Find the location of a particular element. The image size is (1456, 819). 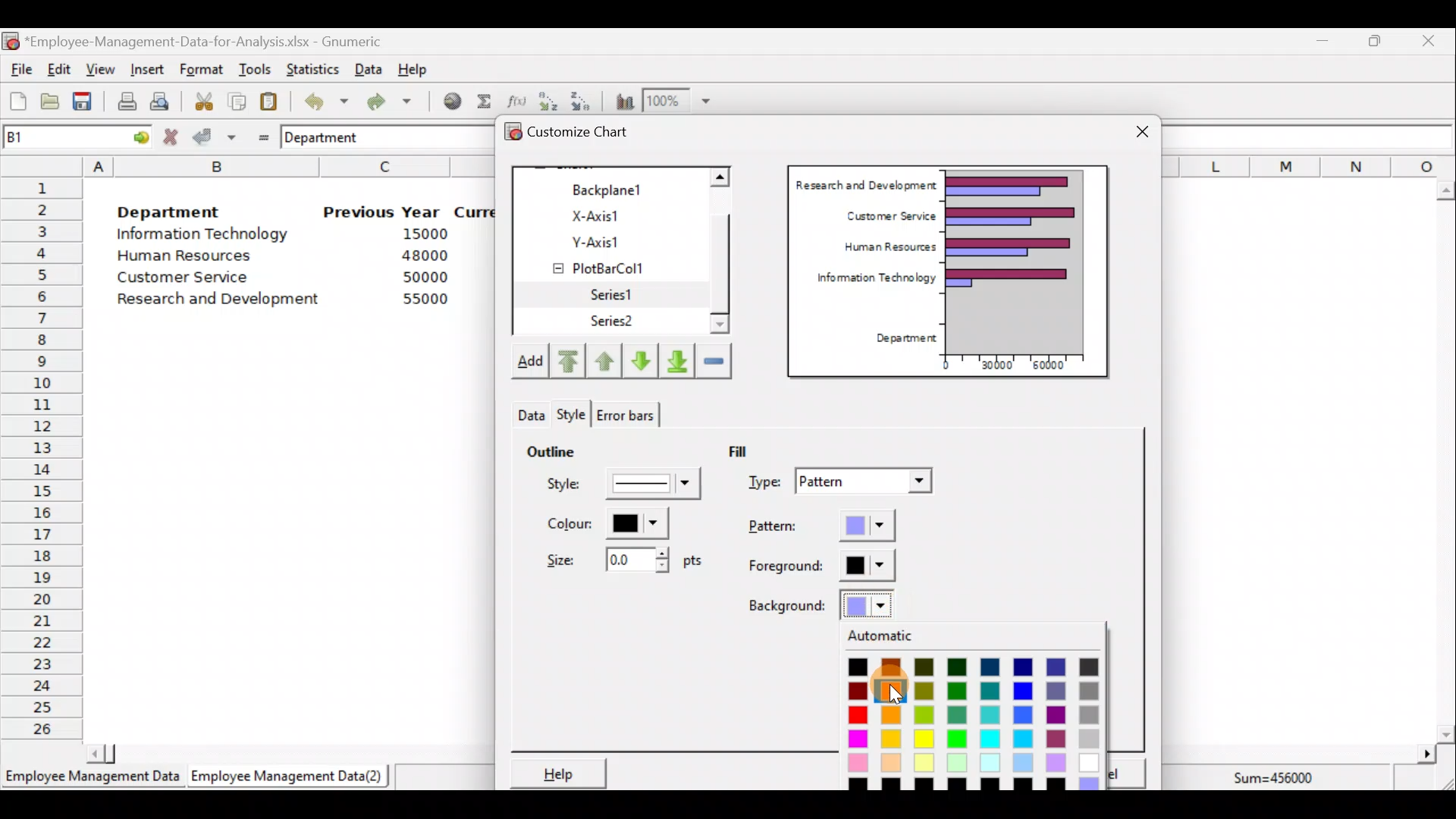

Formula bar is located at coordinates (1312, 136).